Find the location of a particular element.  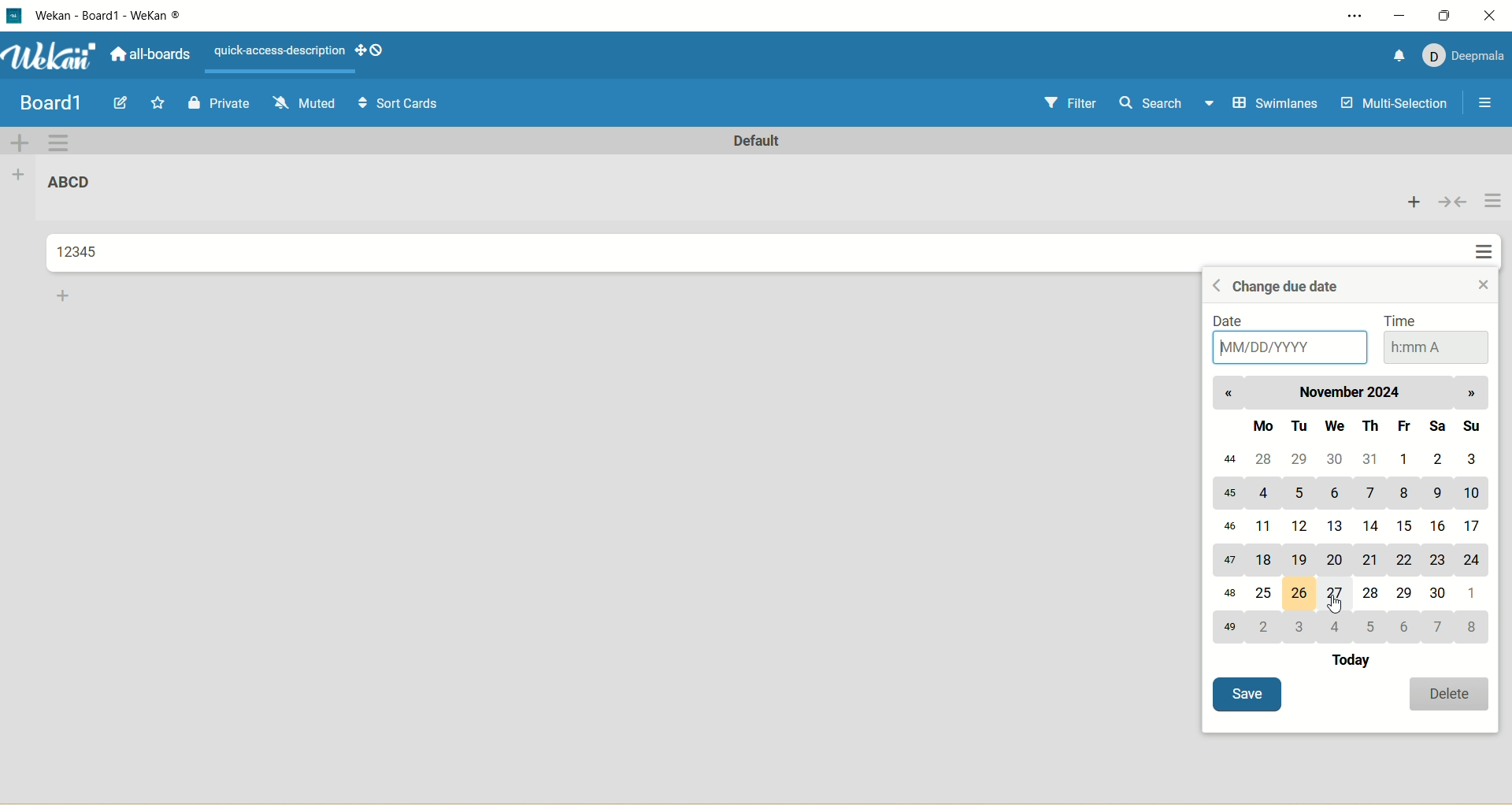

card title is located at coordinates (80, 252).